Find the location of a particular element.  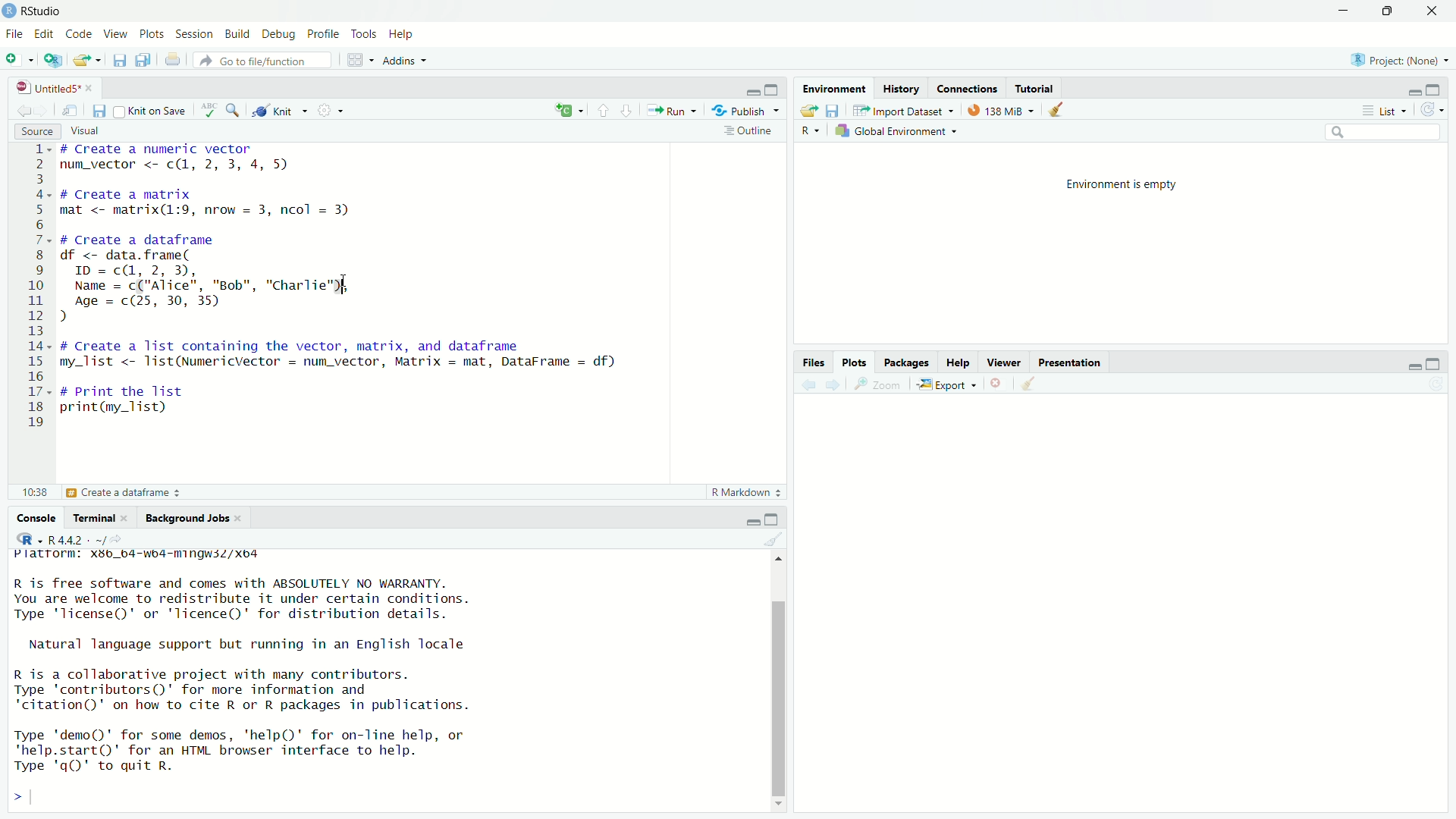

Run is located at coordinates (673, 111).